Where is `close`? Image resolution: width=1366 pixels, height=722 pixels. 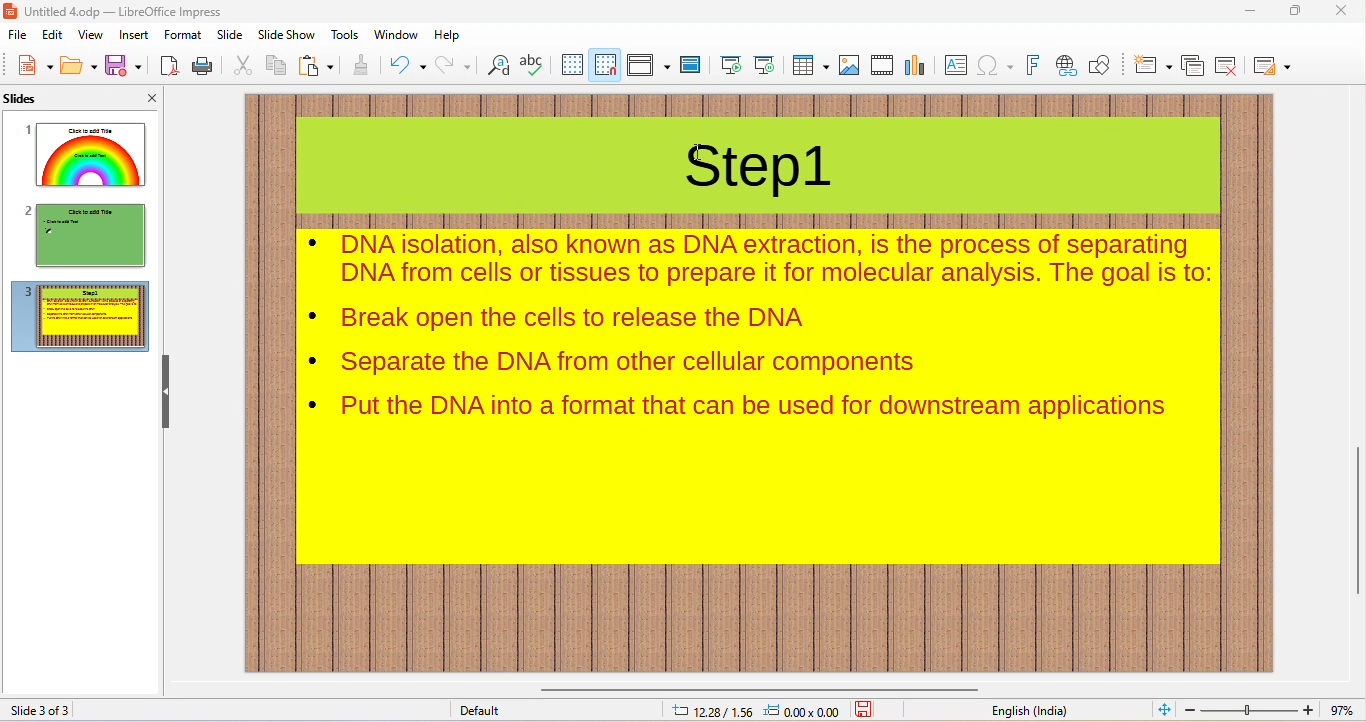
close is located at coordinates (151, 99).